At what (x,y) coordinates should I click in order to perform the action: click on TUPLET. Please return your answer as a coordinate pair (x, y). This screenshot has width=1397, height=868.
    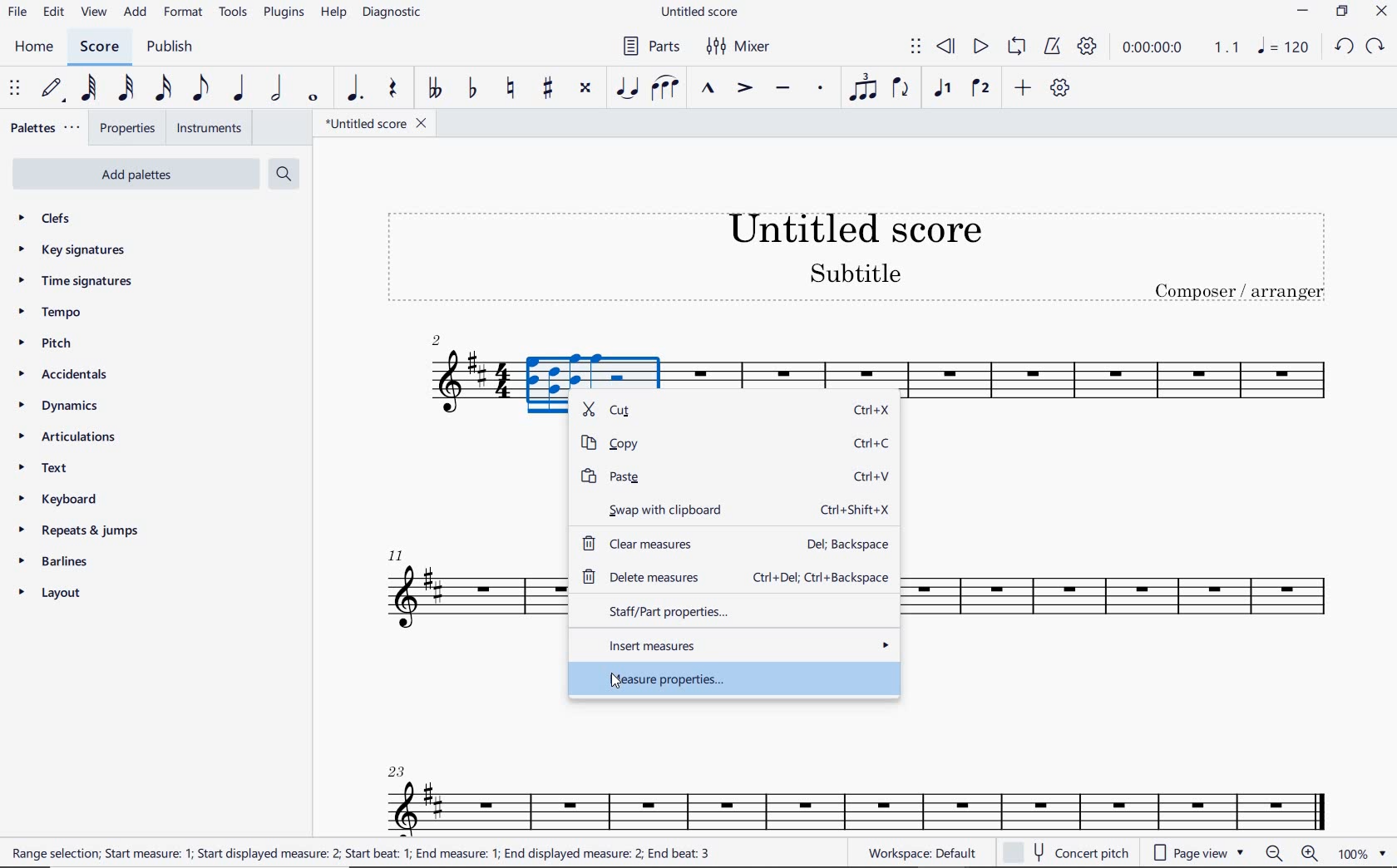
    Looking at the image, I should click on (865, 87).